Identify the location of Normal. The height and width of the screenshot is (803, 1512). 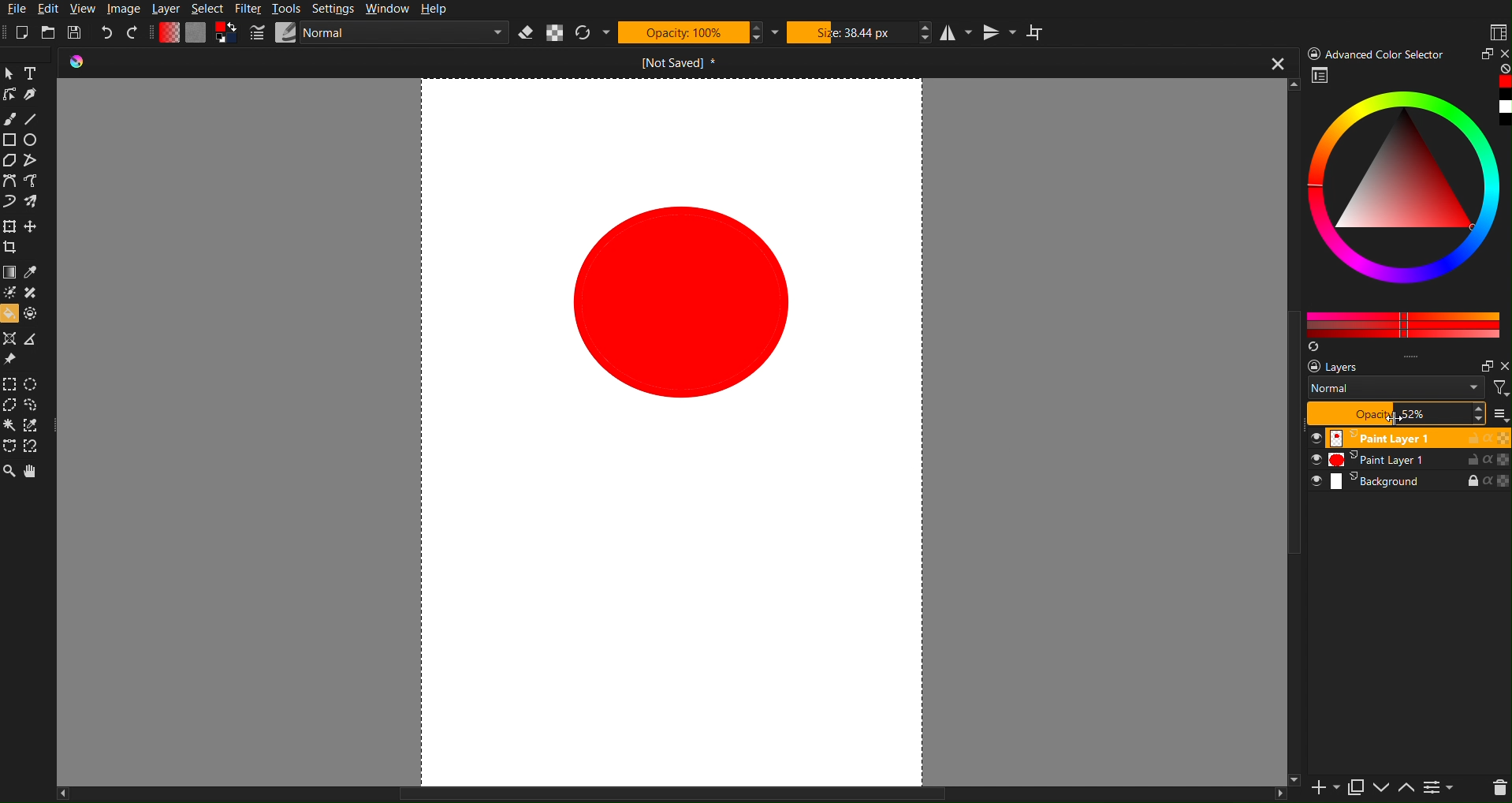
(390, 33).